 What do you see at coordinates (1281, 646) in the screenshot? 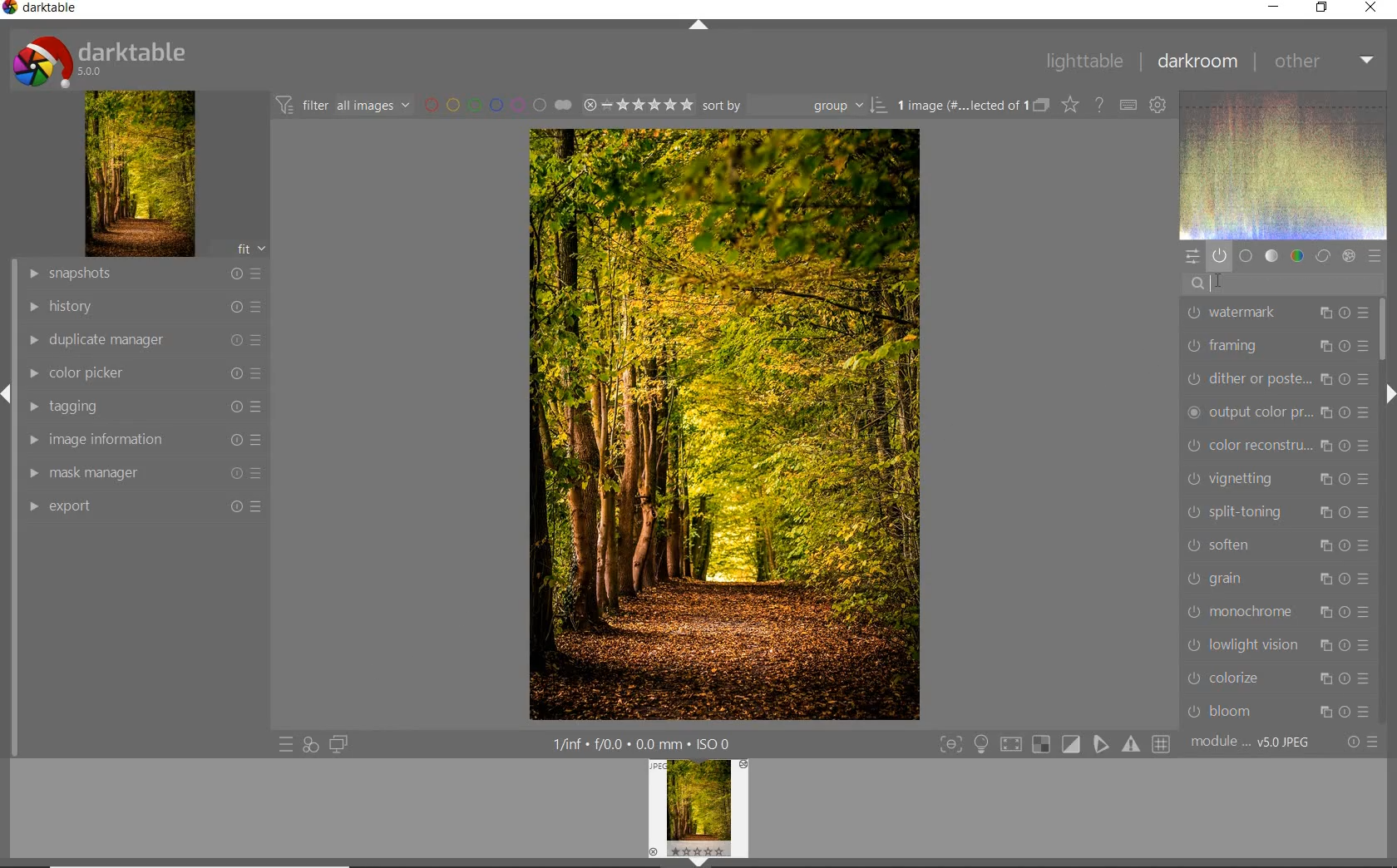
I see `lowlight vision` at bounding box center [1281, 646].